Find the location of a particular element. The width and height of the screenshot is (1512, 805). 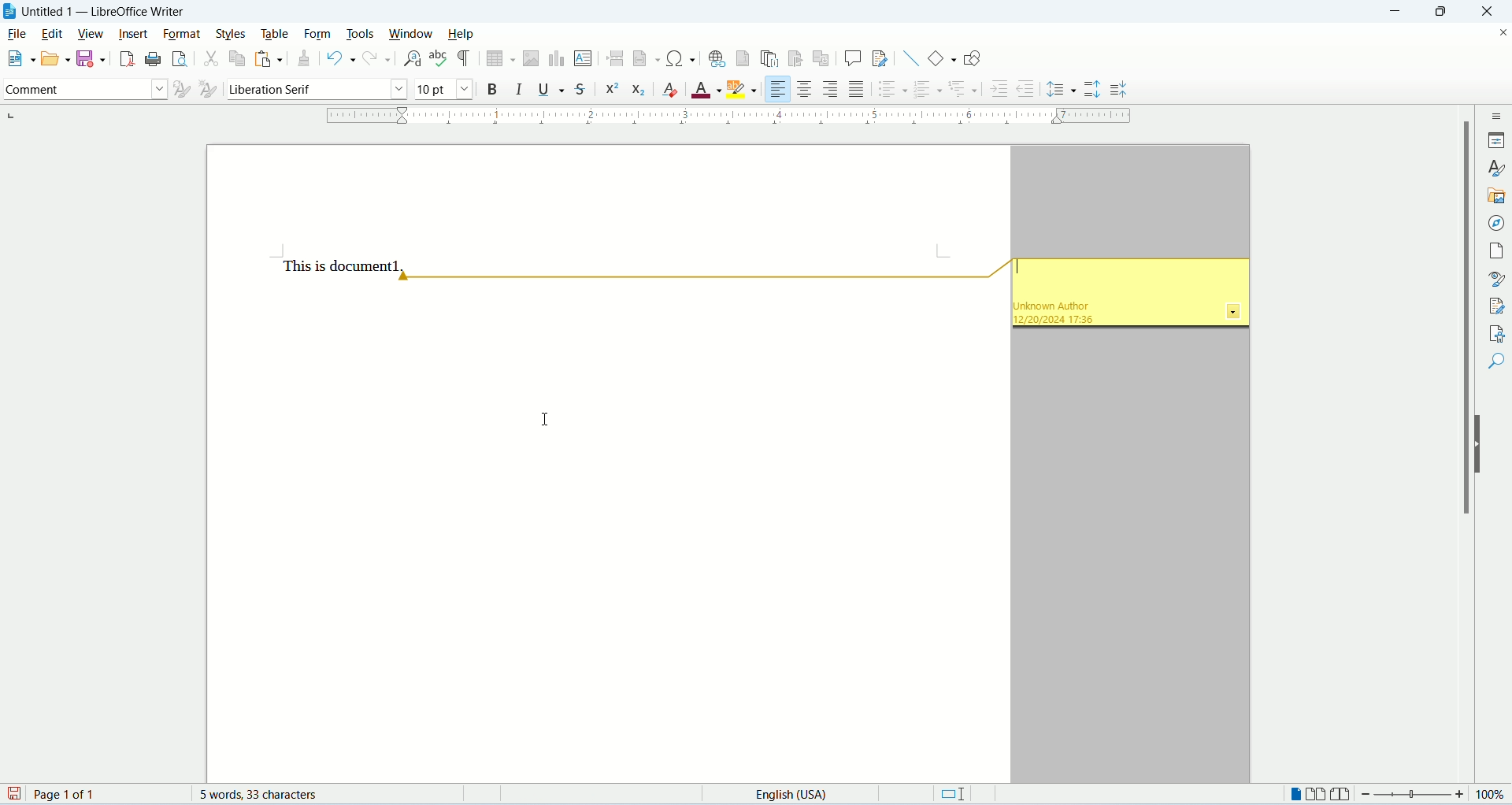

properties is located at coordinates (1496, 140).